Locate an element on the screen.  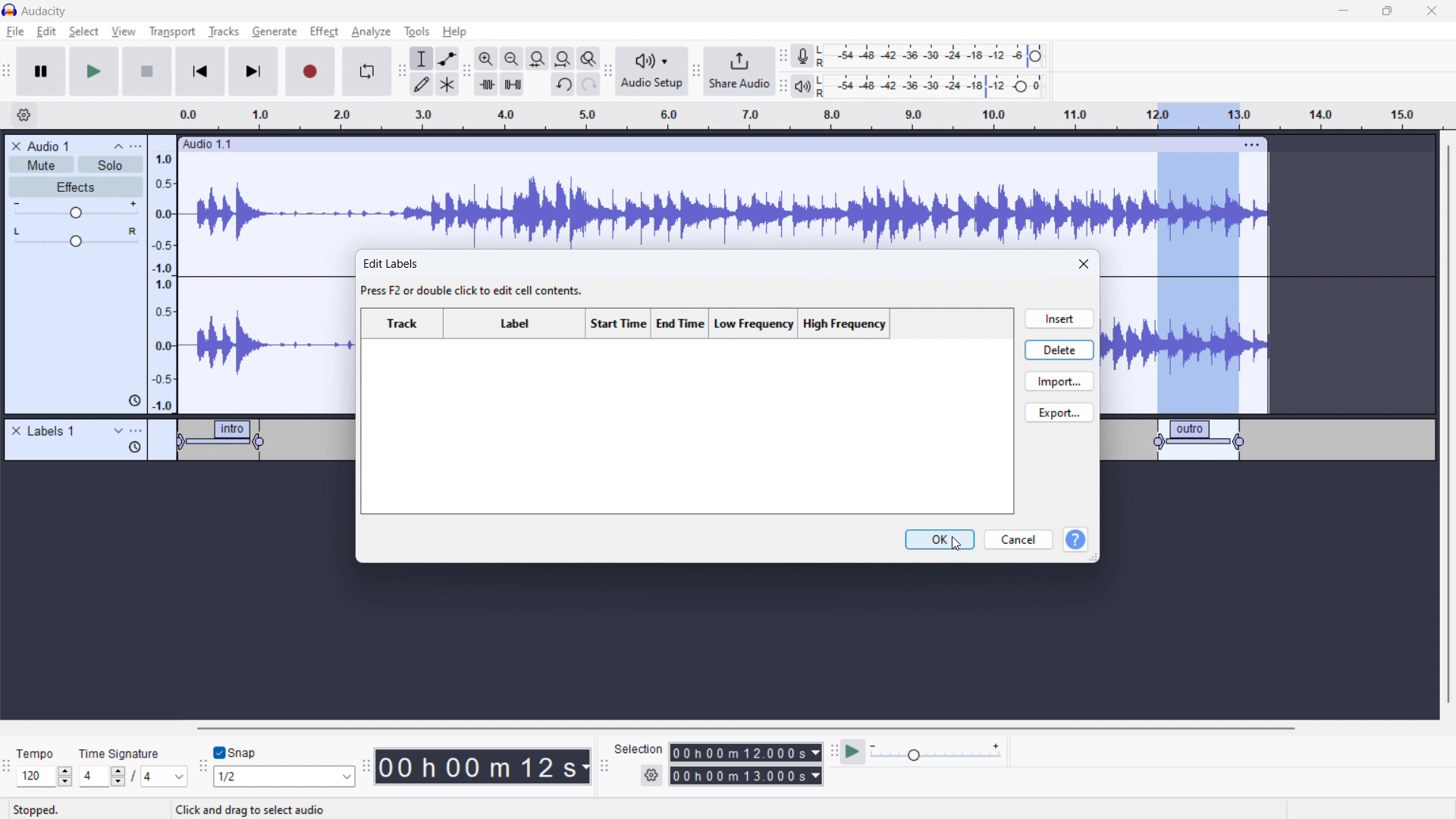
snapping toolbar is located at coordinates (203, 768).